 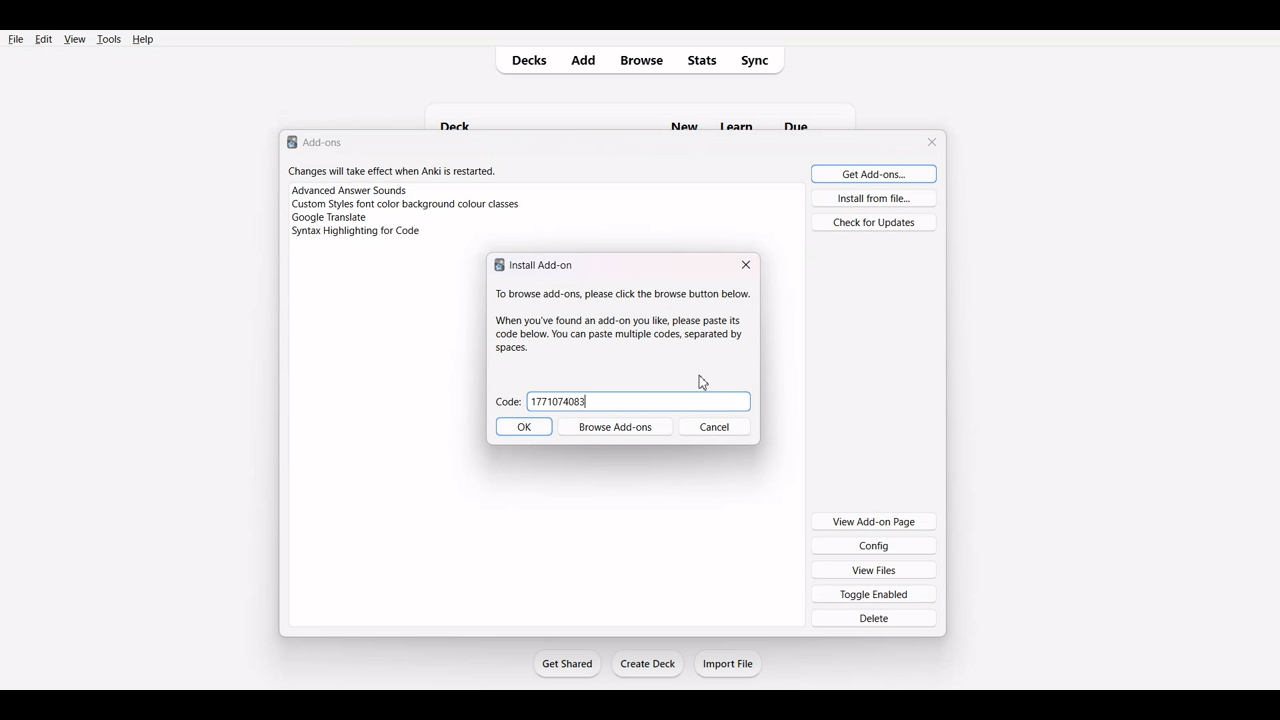 What do you see at coordinates (464, 115) in the screenshot?
I see `deck` at bounding box center [464, 115].